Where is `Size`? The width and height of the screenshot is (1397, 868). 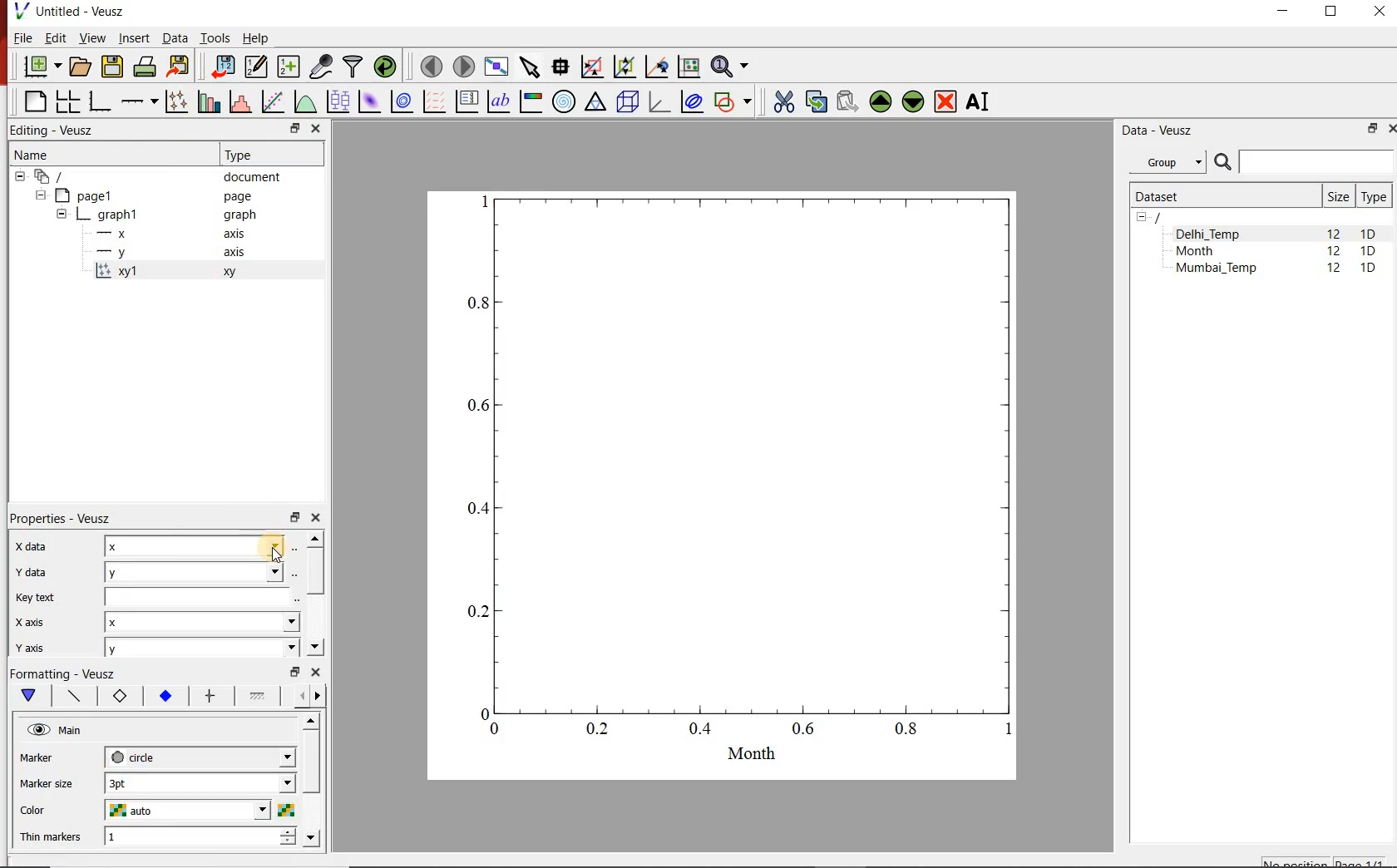 Size is located at coordinates (1338, 196).